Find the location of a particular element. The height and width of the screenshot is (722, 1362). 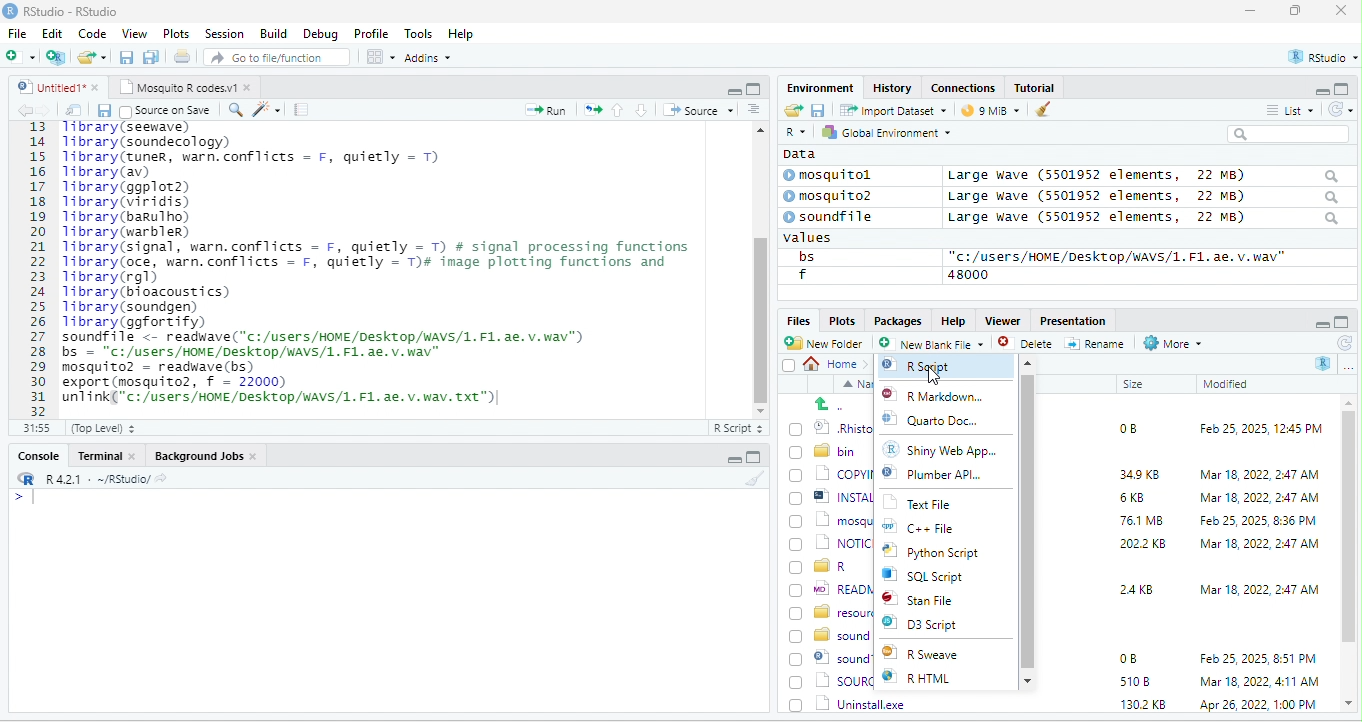

” Go to file/function is located at coordinates (278, 59).